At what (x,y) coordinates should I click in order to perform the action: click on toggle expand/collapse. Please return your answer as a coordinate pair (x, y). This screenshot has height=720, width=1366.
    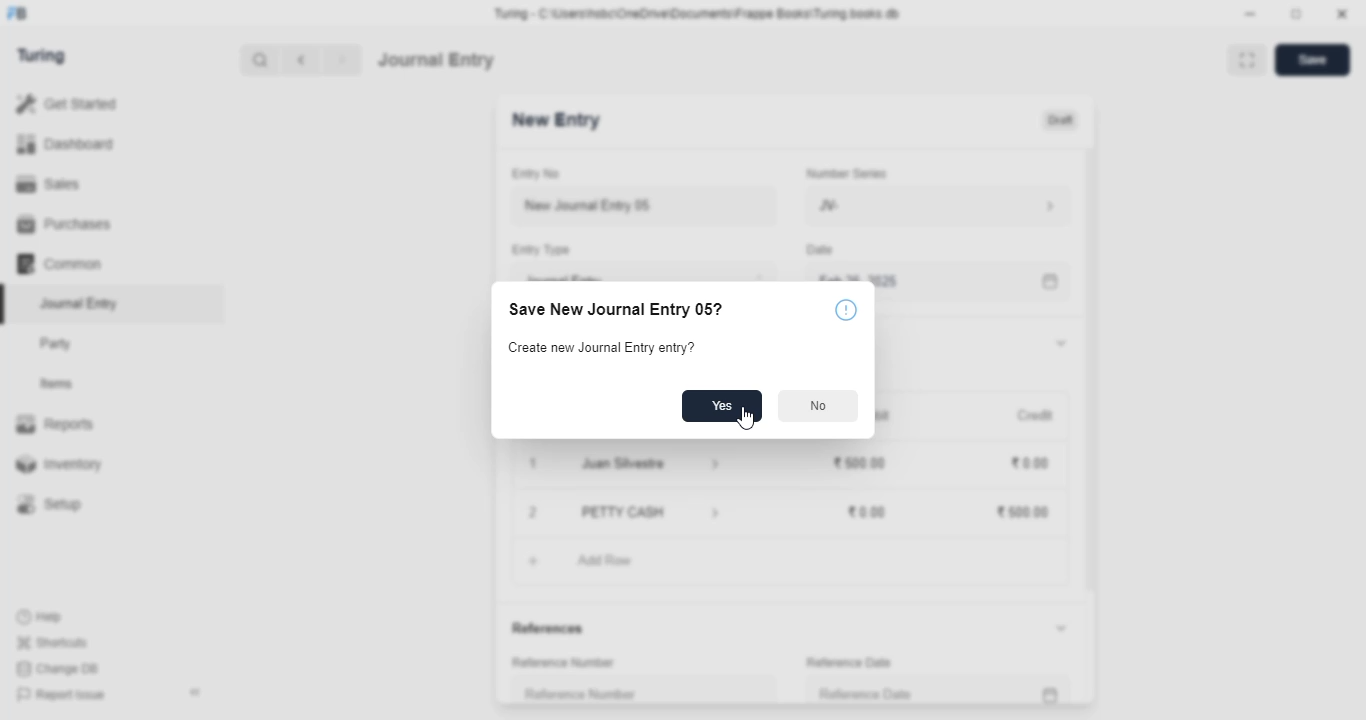
    Looking at the image, I should click on (1062, 344).